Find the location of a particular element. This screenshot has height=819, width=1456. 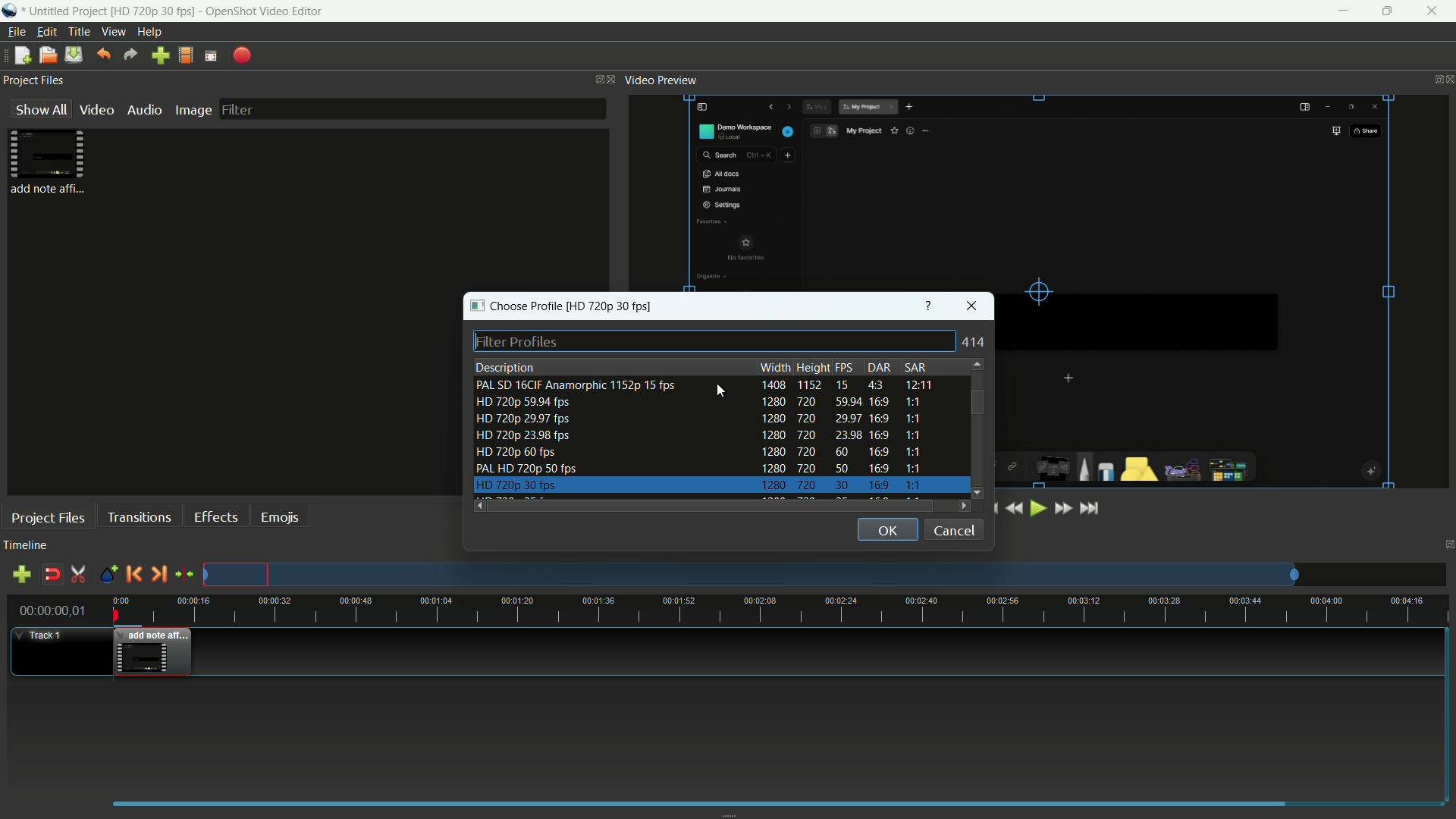

jump to end is located at coordinates (1090, 510).